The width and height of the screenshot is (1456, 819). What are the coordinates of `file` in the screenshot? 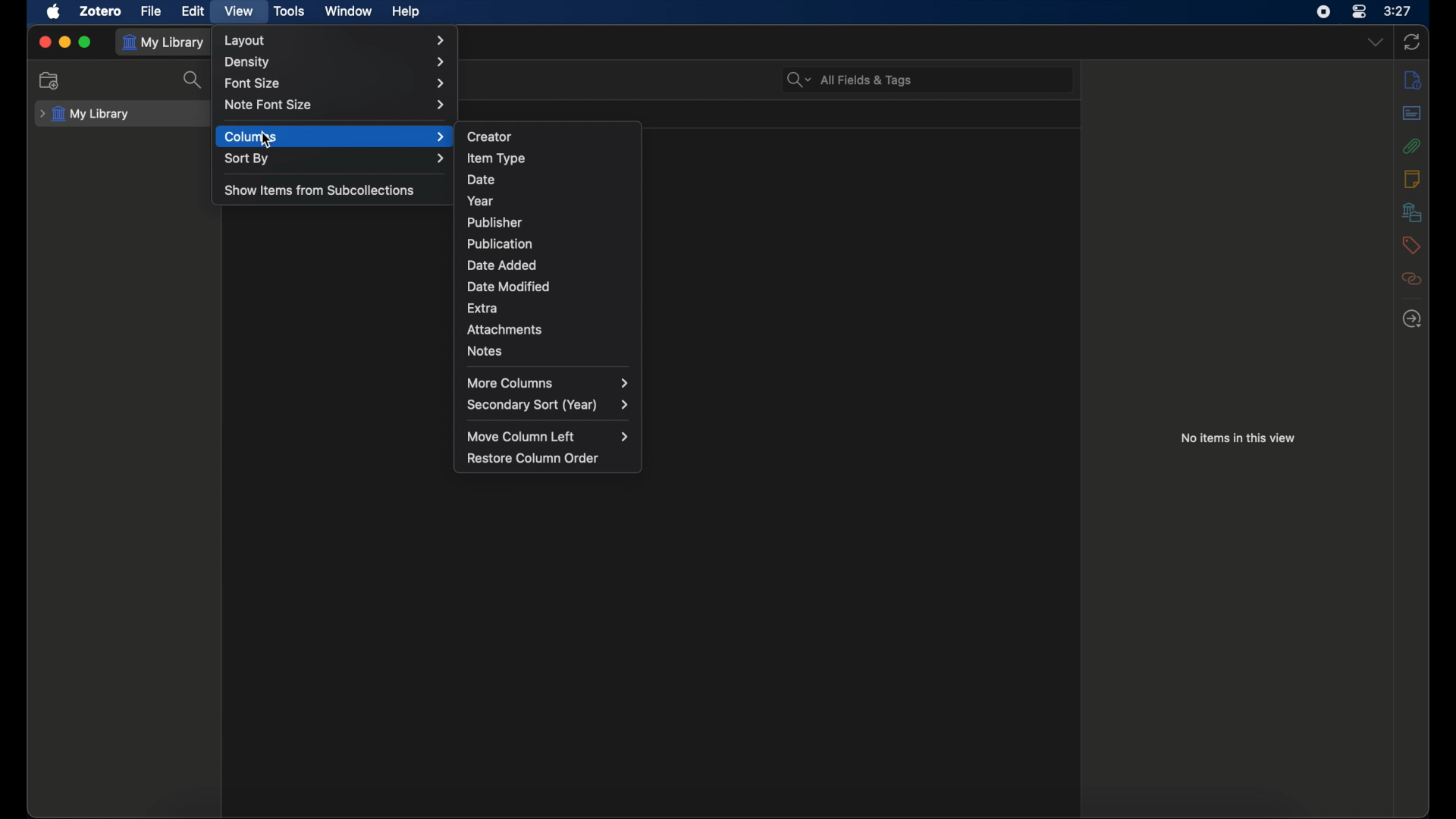 It's located at (152, 11).